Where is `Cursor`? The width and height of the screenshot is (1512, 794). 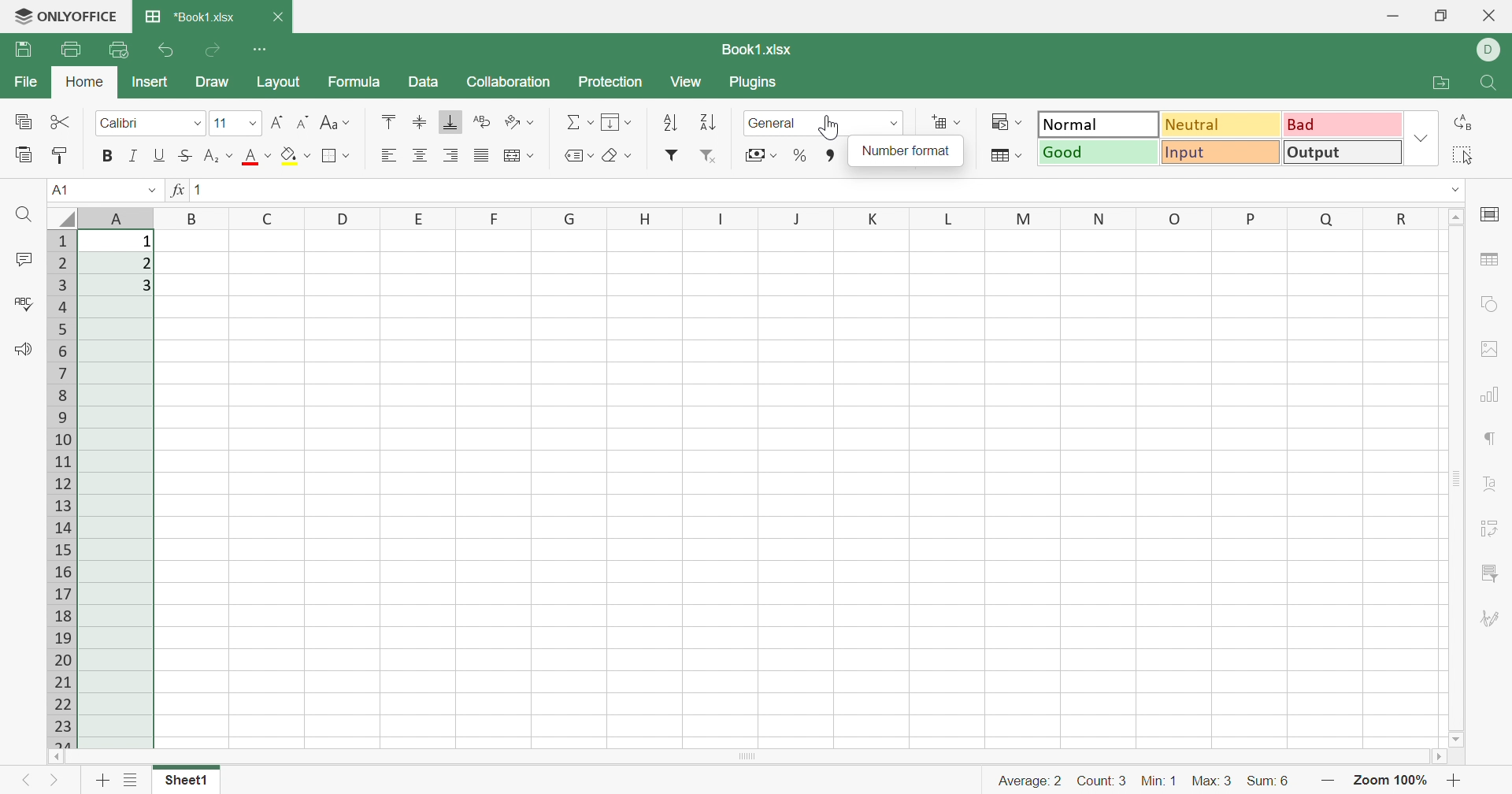
Cursor is located at coordinates (830, 127).